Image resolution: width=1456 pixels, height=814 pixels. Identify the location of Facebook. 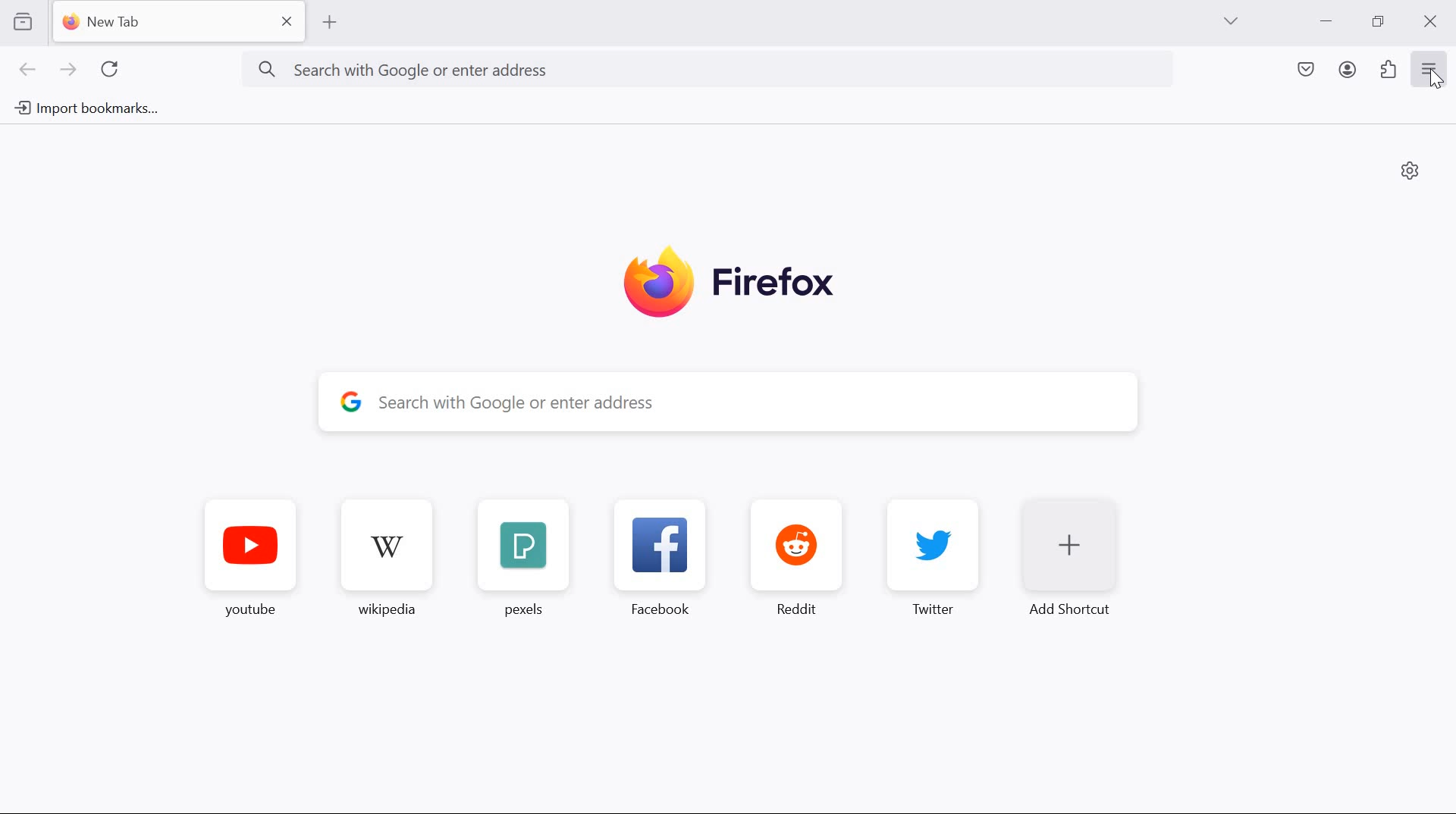
(658, 554).